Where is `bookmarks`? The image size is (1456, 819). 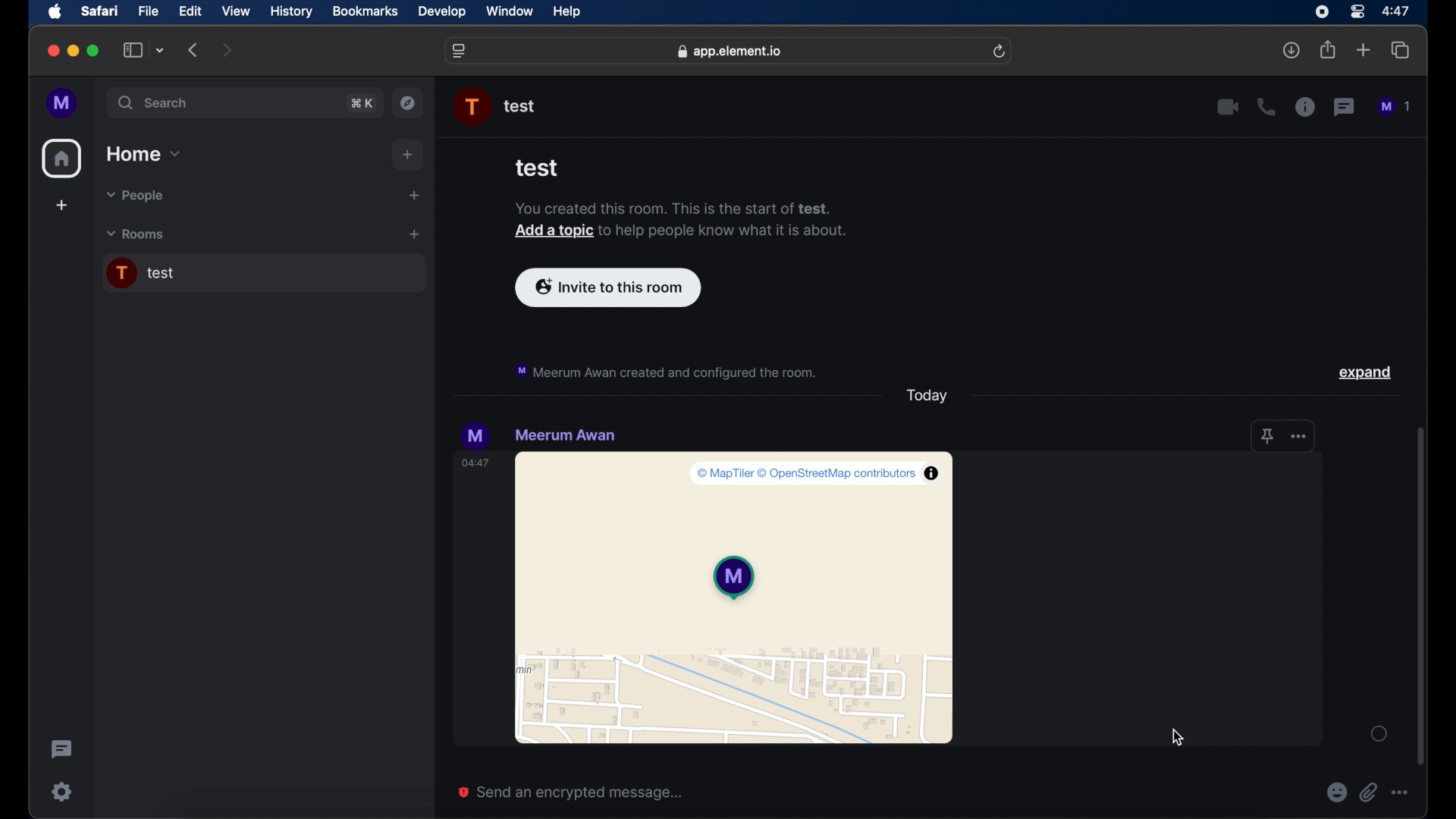 bookmarks is located at coordinates (365, 11).